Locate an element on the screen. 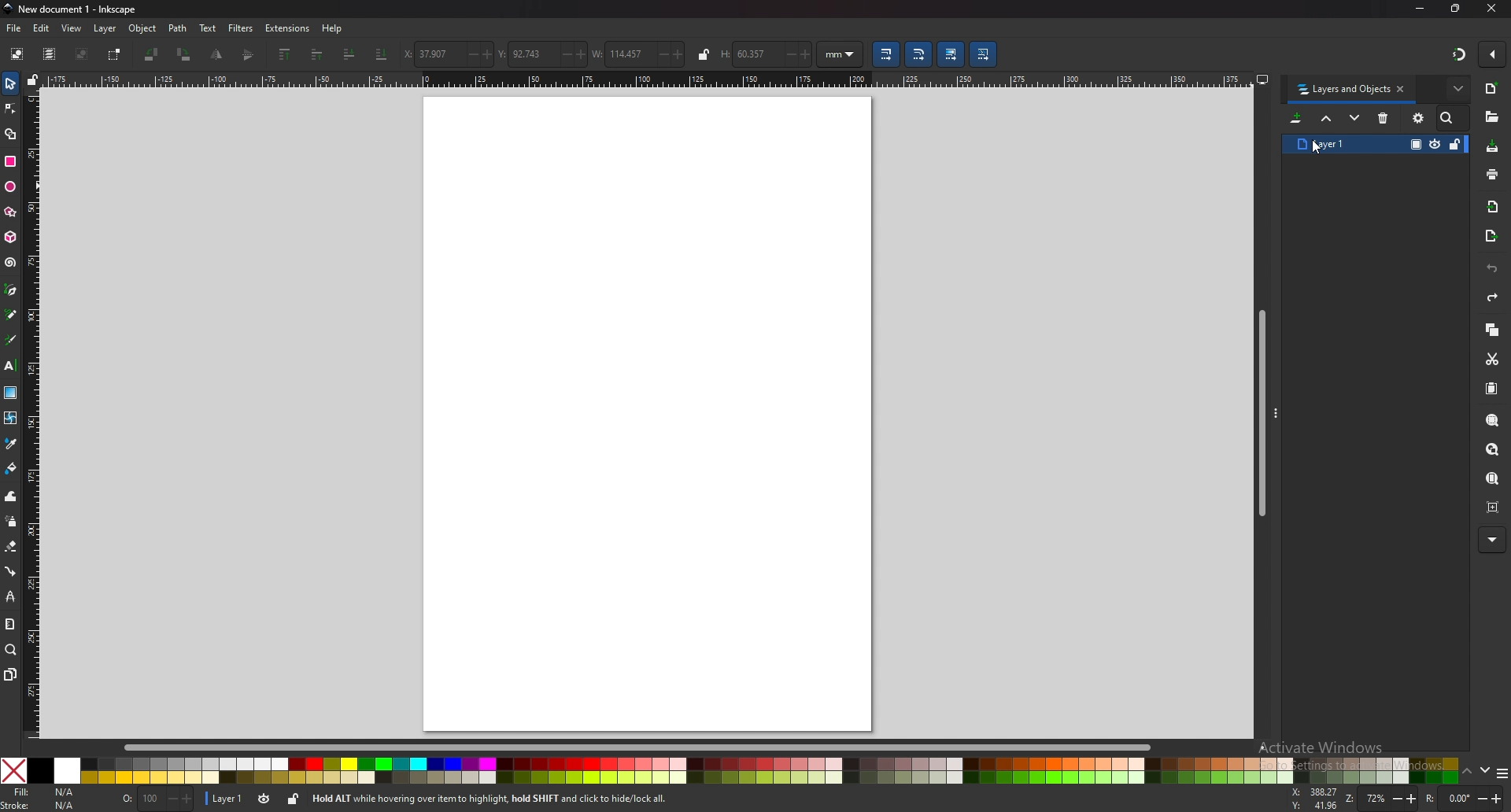  y coordinates is located at coordinates (524, 54).